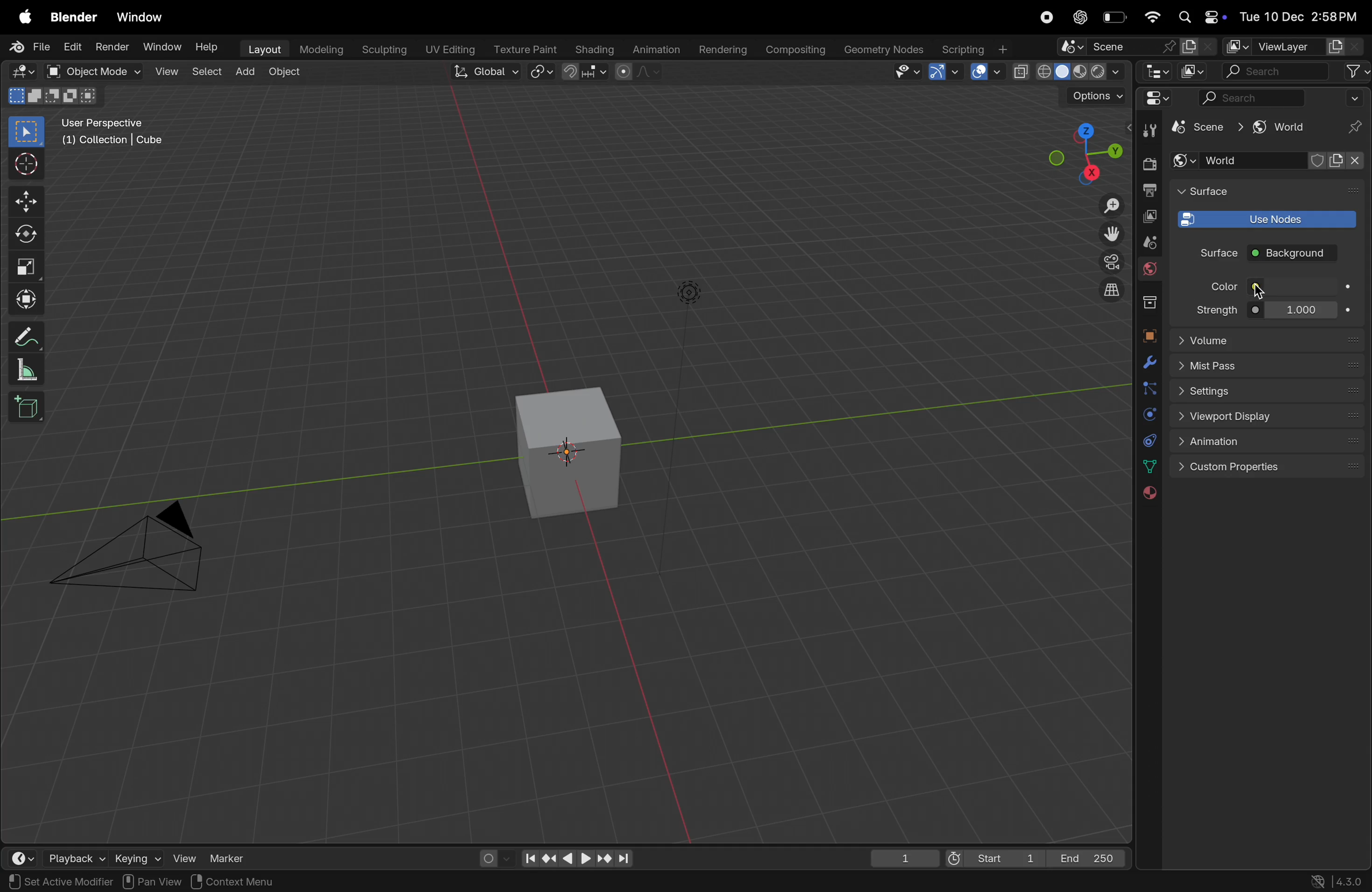  I want to click on search, so click(1273, 71).